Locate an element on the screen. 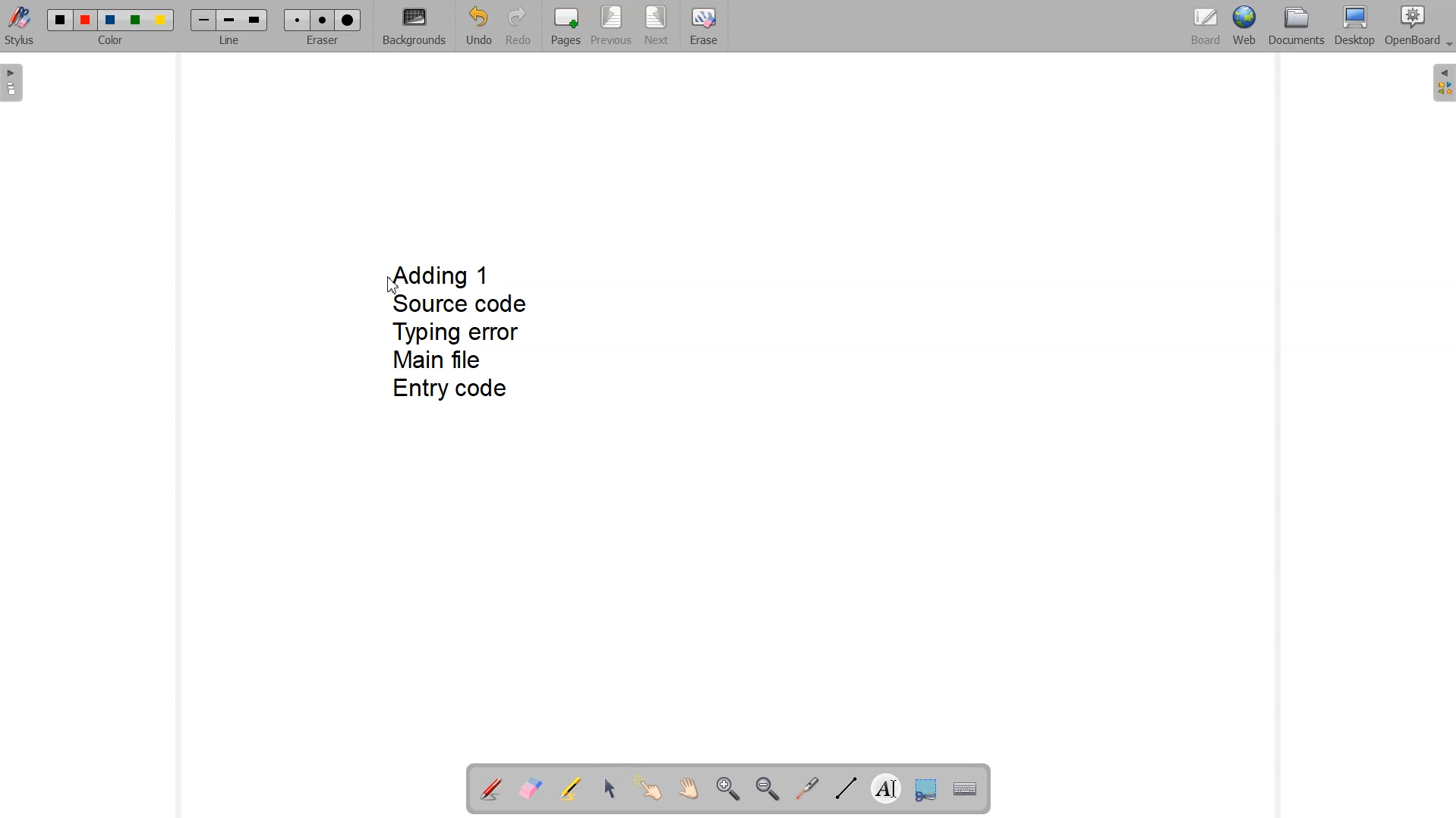 Image resolution: width=1456 pixels, height=818 pixels. Large eraser is located at coordinates (348, 20).